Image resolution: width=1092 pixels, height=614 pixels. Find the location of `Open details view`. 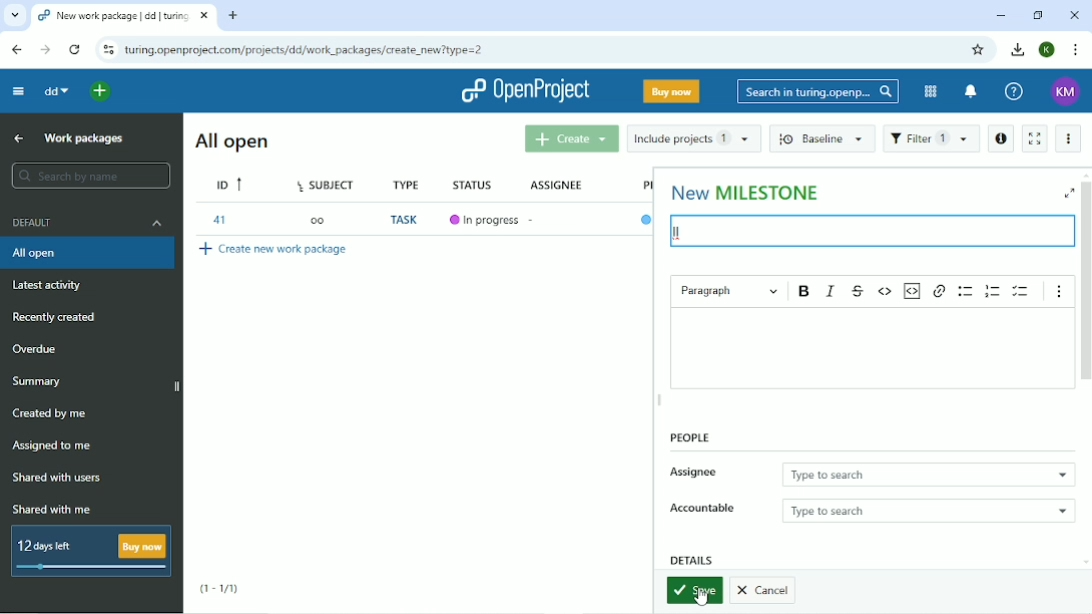

Open details view is located at coordinates (1000, 139).